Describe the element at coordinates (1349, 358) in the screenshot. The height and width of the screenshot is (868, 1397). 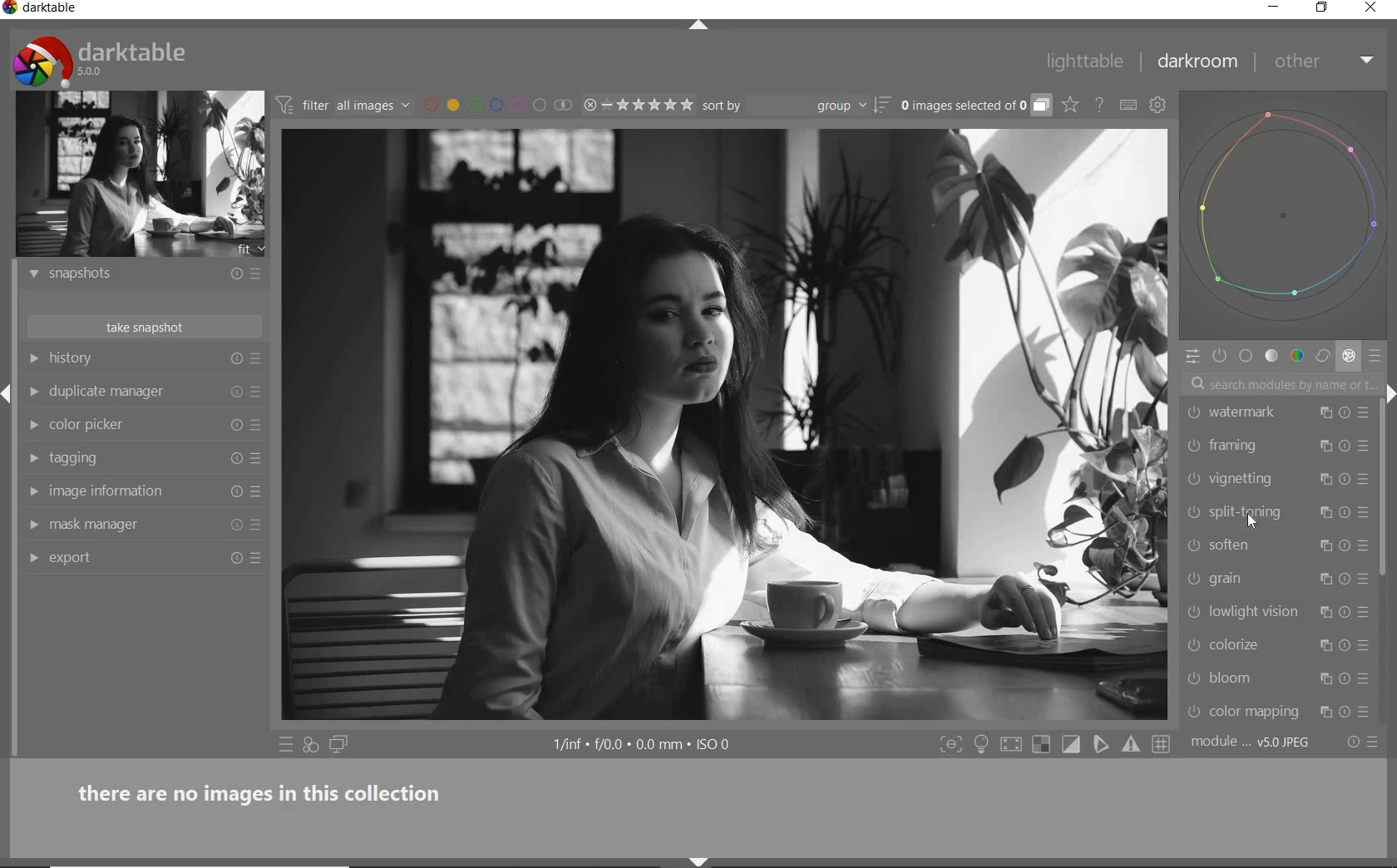
I see `effect` at that location.